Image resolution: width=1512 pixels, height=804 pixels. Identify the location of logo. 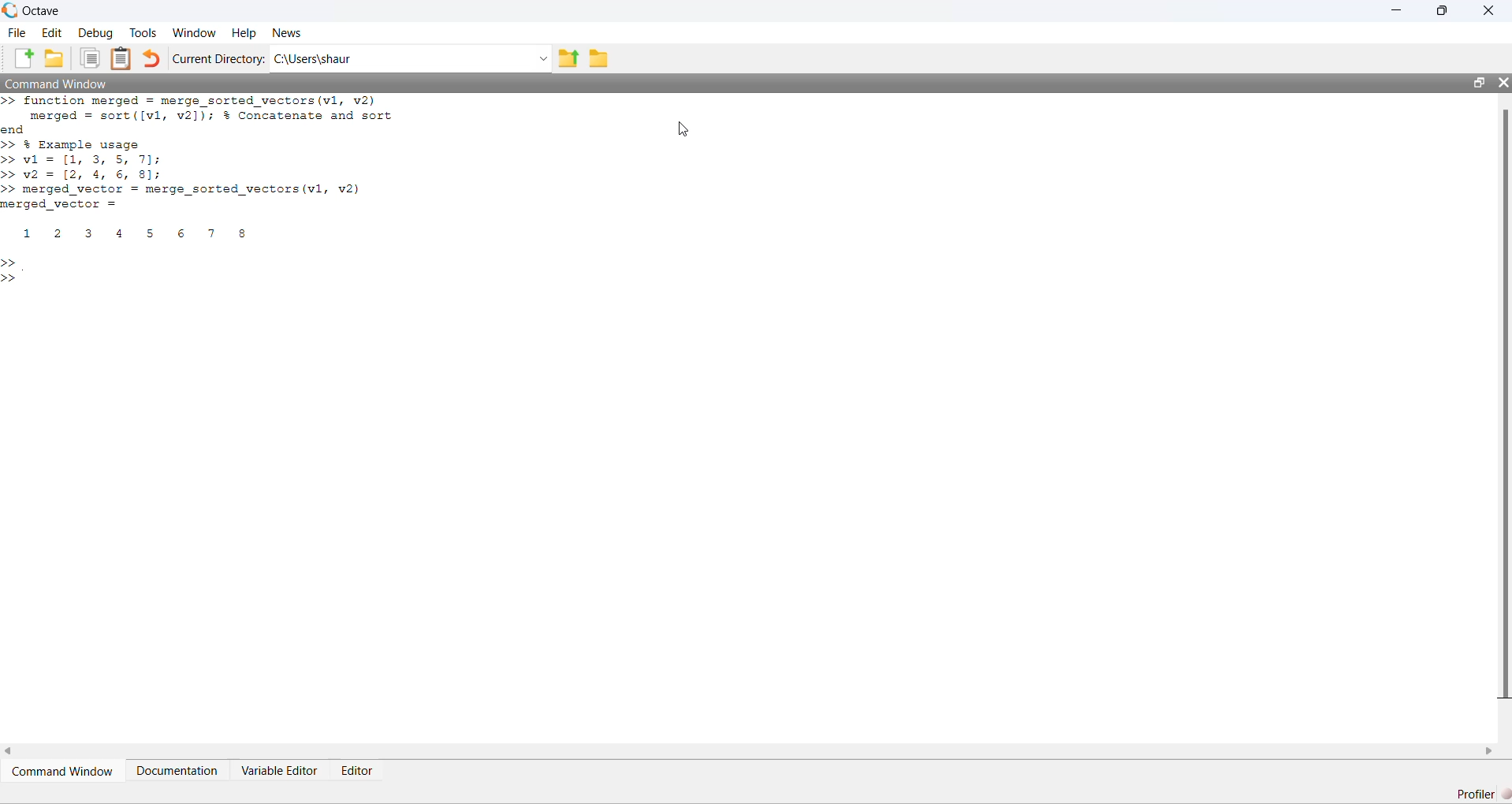
(11, 10).